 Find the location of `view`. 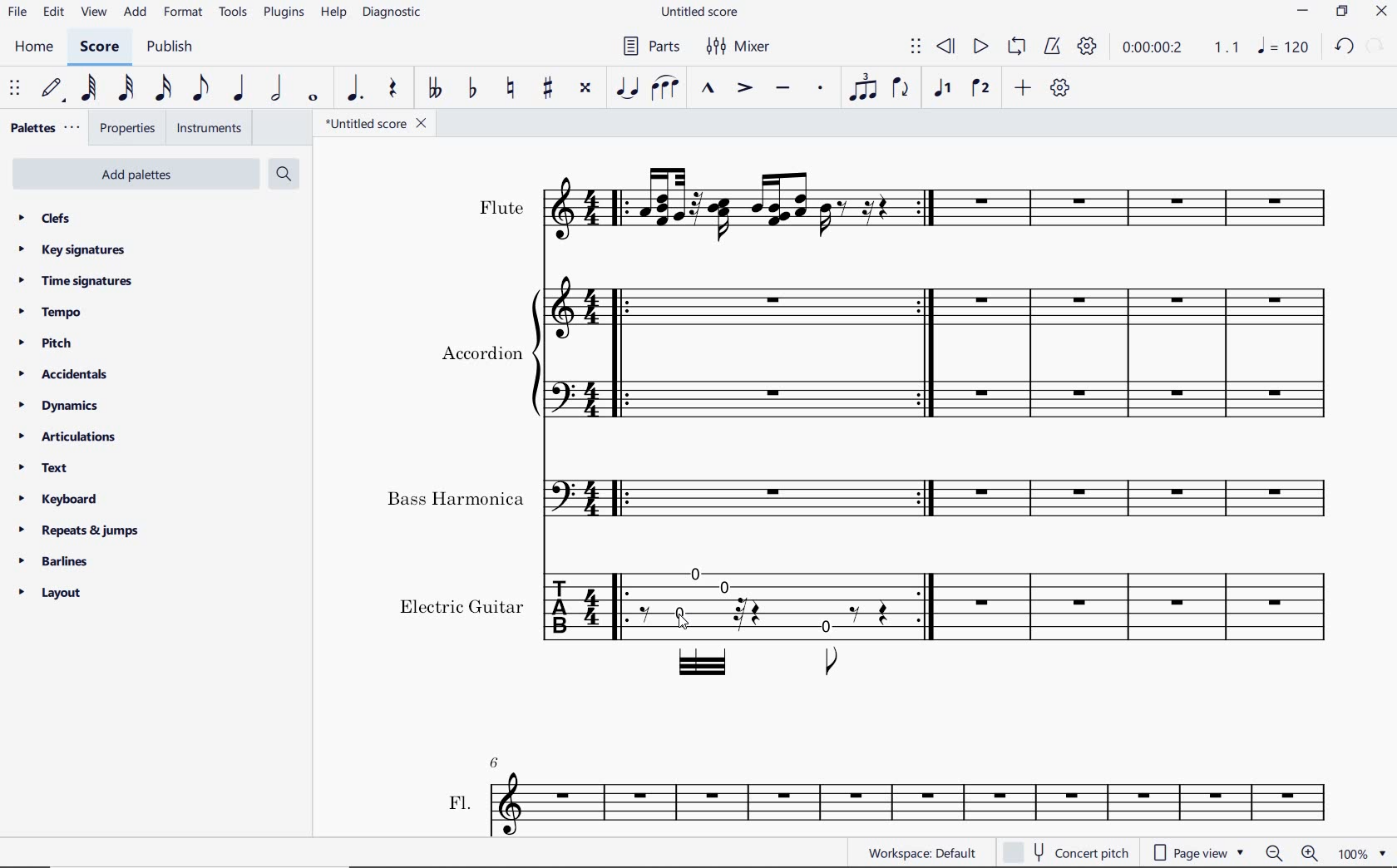

view is located at coordinates (94, 13).